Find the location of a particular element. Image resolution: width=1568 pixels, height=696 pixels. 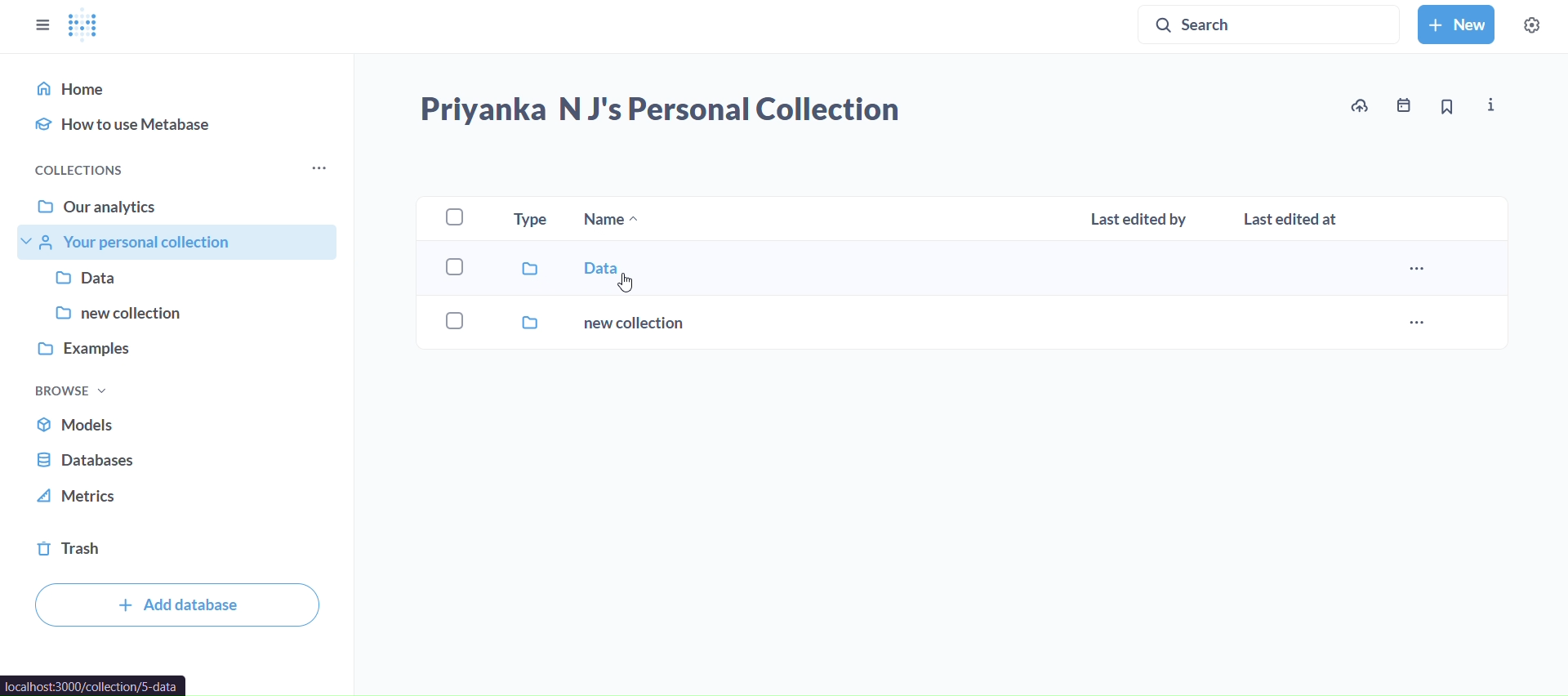

your persona collection is located at coordinates (178, 239).